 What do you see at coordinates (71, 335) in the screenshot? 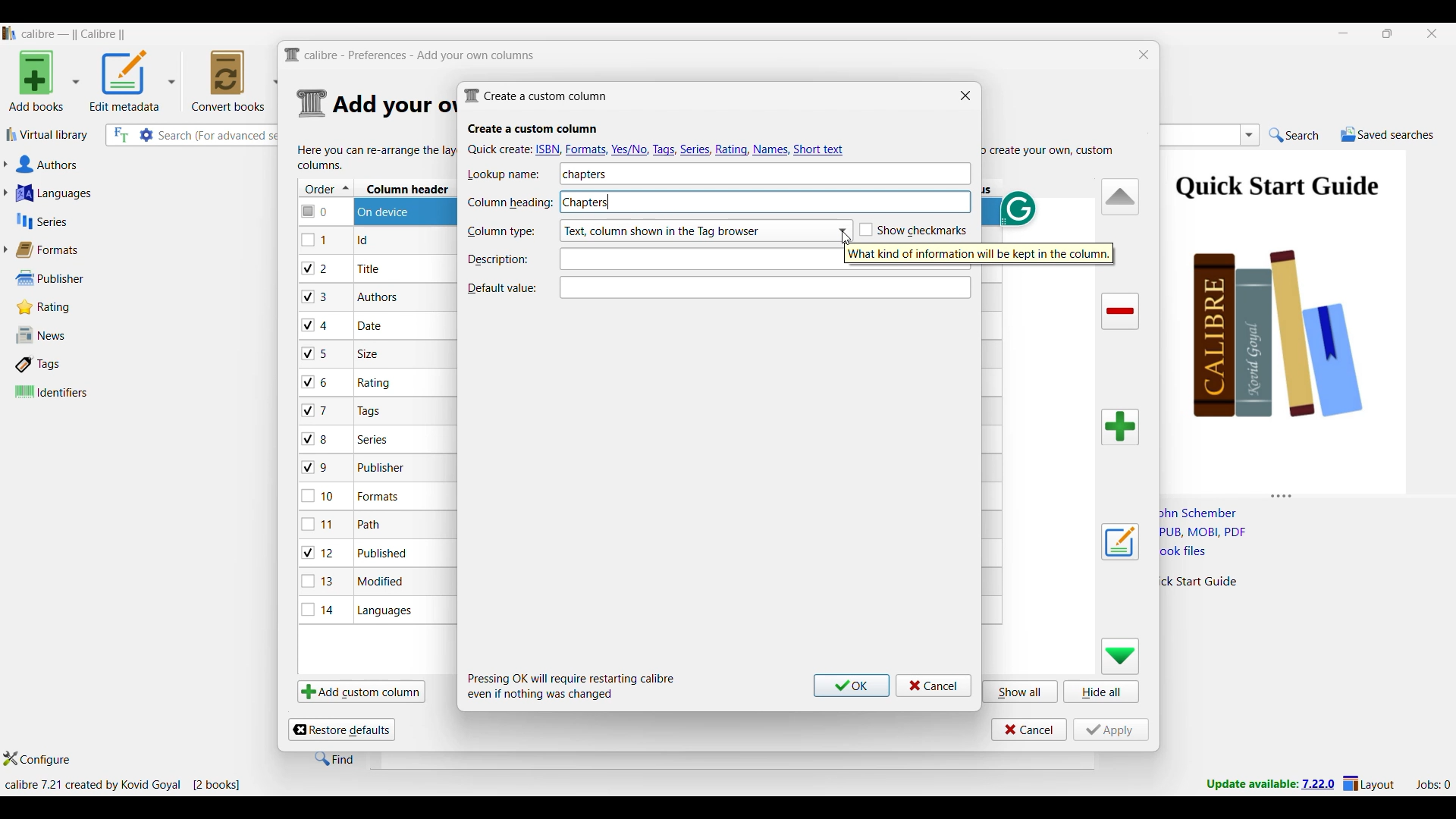
I see `News` at bounding box center [71, 335].